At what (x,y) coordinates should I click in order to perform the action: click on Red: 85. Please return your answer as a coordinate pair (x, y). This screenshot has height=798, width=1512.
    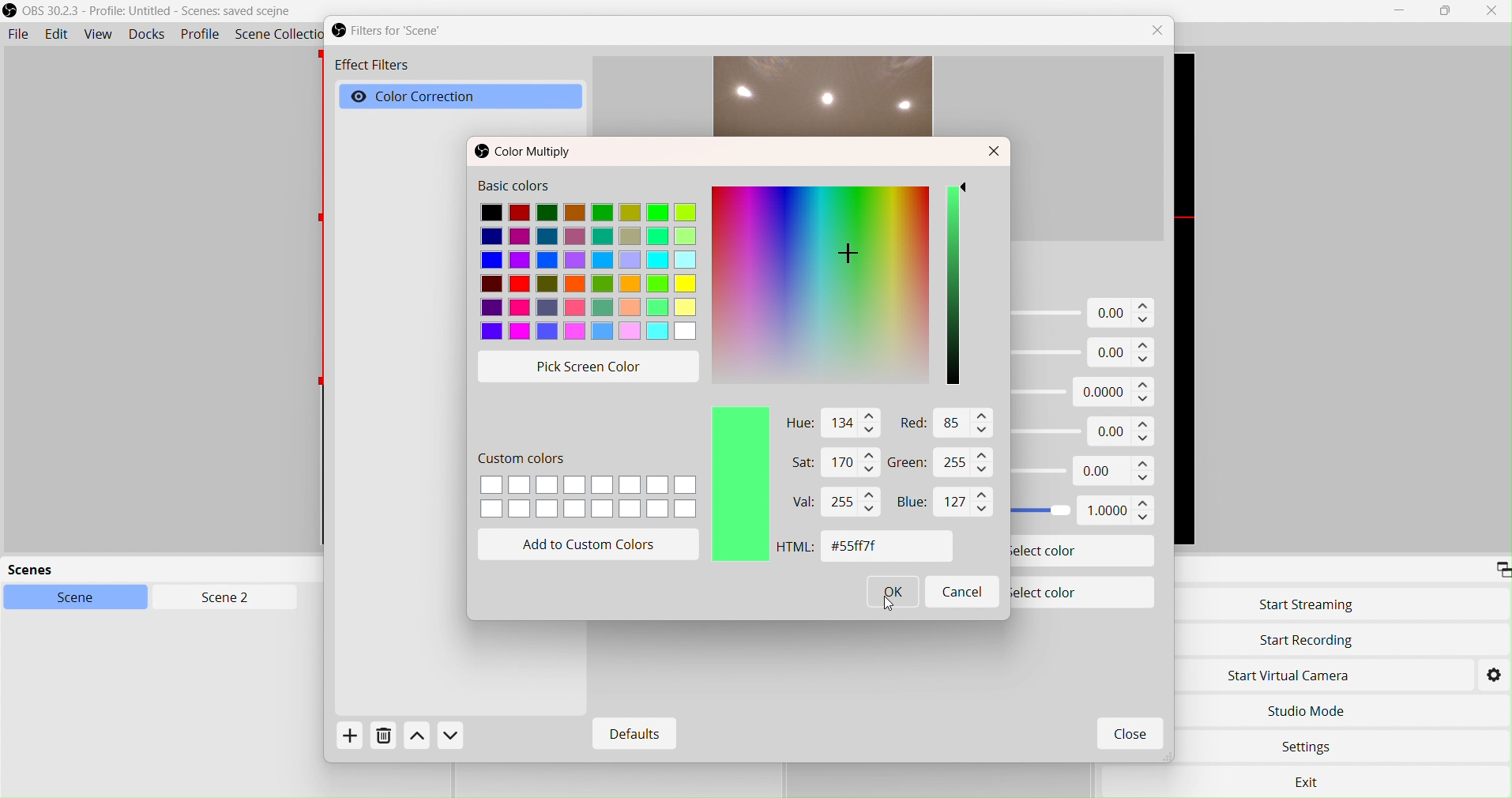
    Looking at the image, I should click on (942, 425).